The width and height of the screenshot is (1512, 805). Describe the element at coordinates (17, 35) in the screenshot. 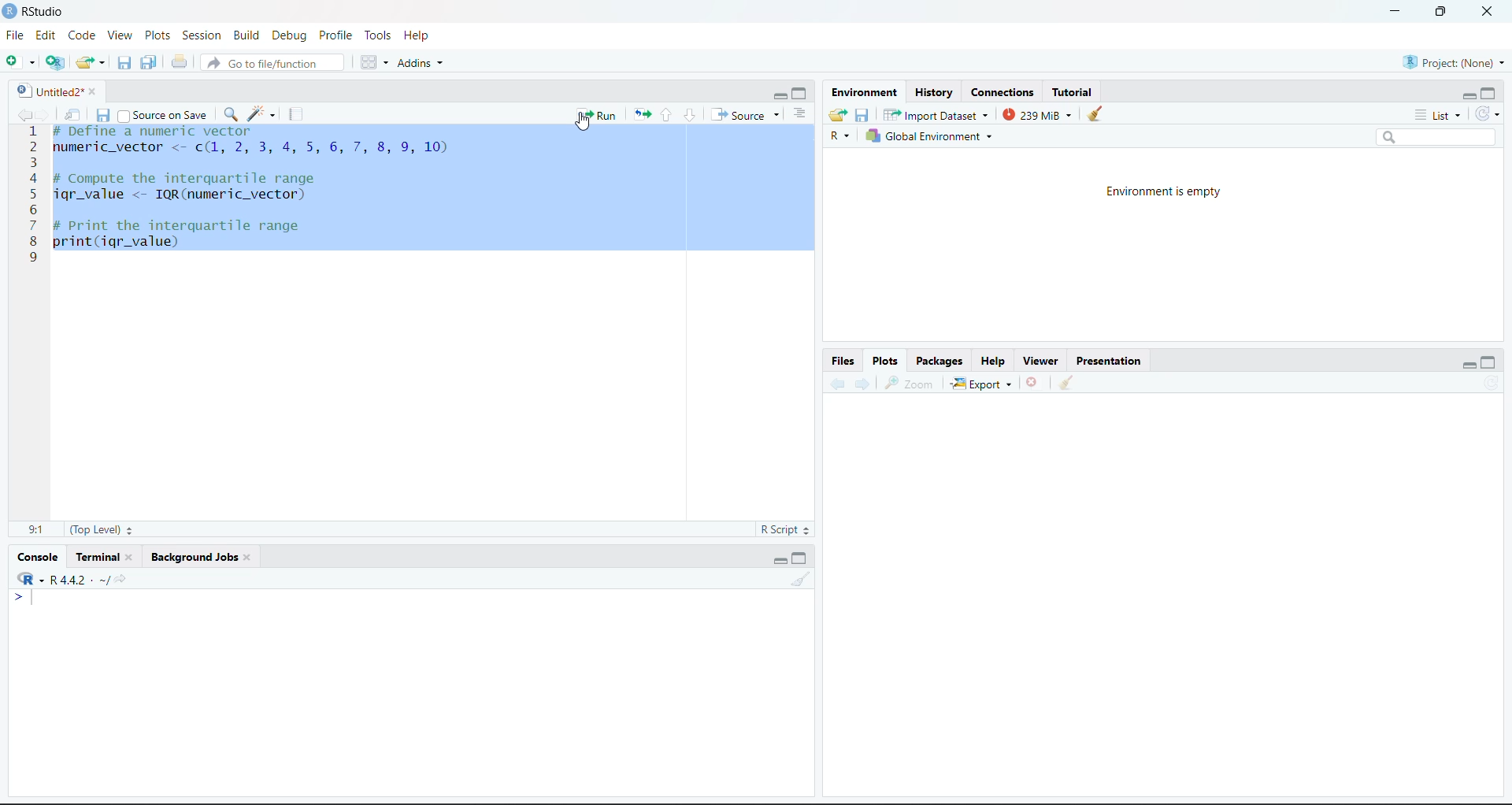

I see `File` at that location.